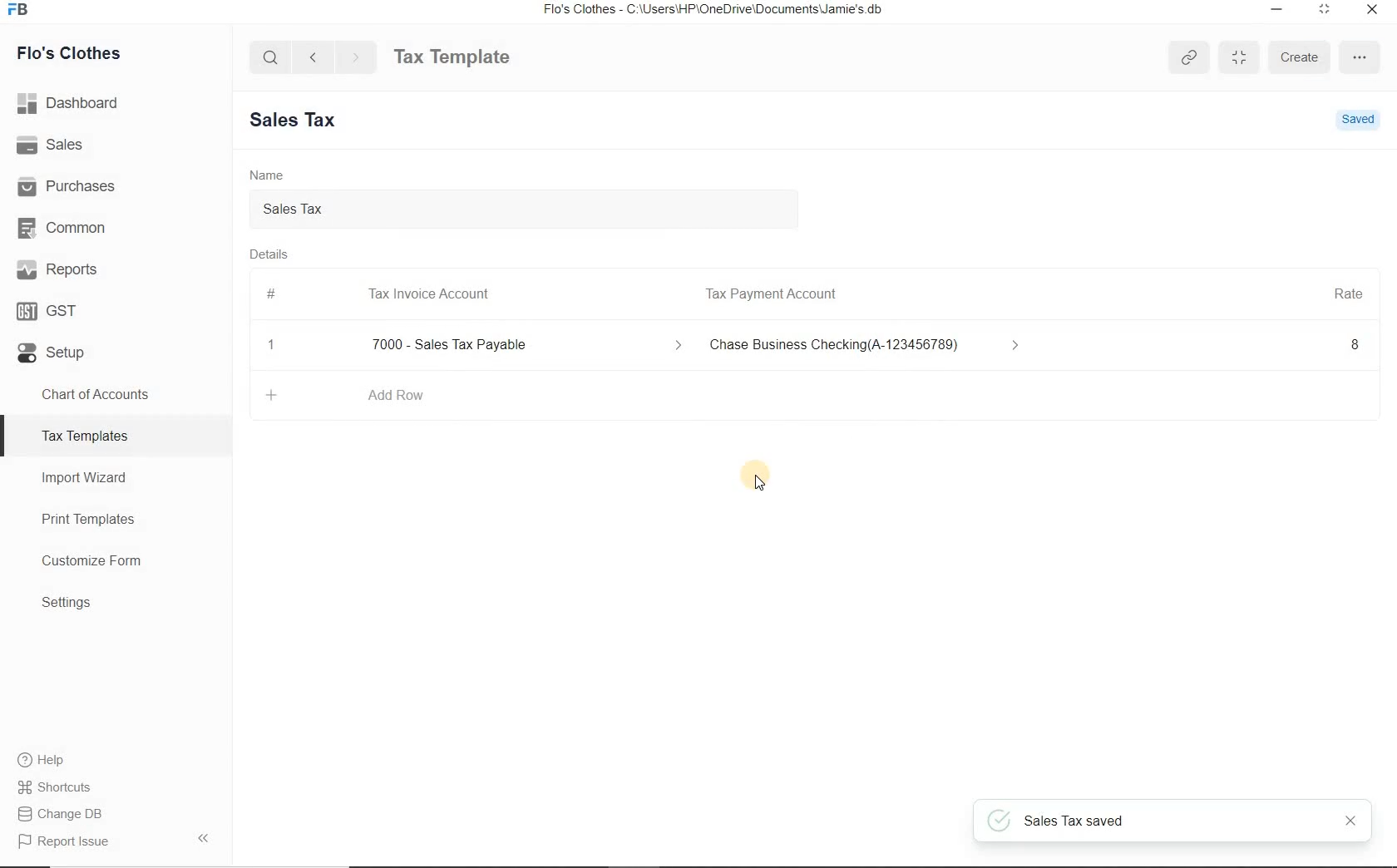 This screenshot has width=1397, height=868. I want to click on Print Templates, so click(116, 519).